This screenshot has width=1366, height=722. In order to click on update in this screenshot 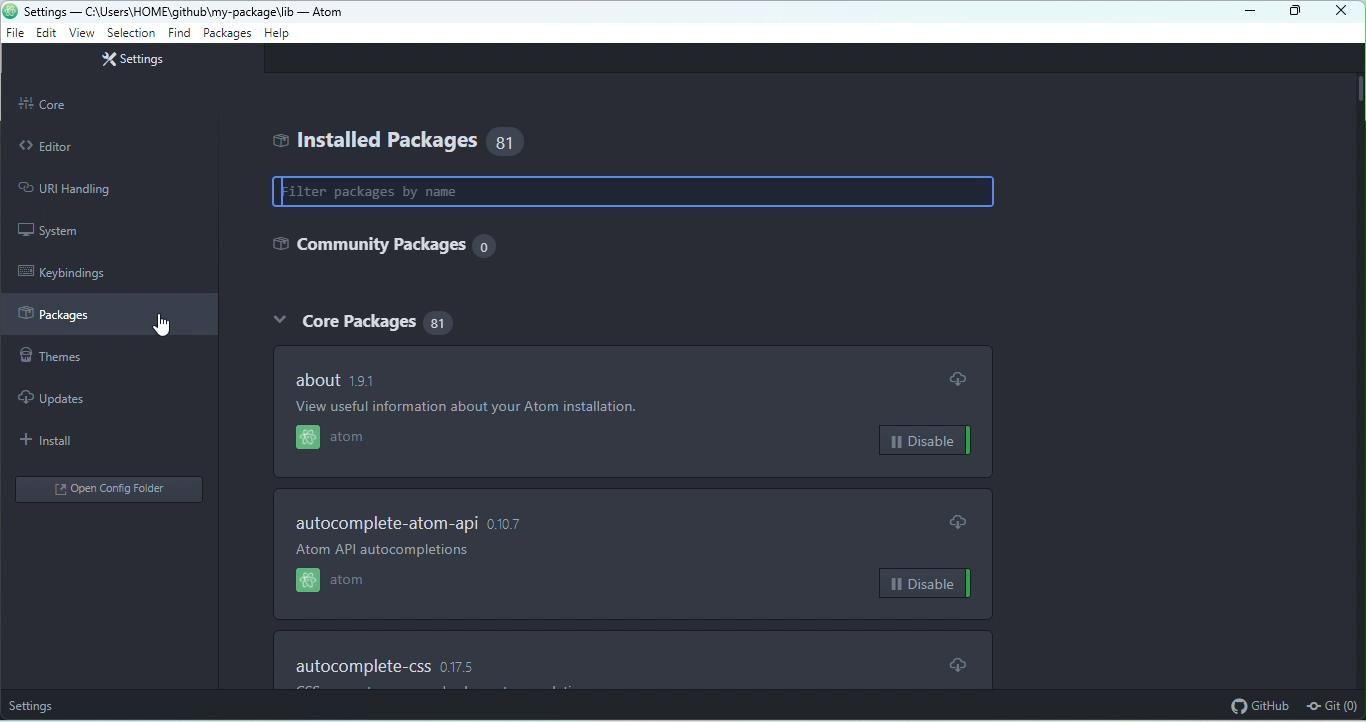, I will do `click(959, 518)`.